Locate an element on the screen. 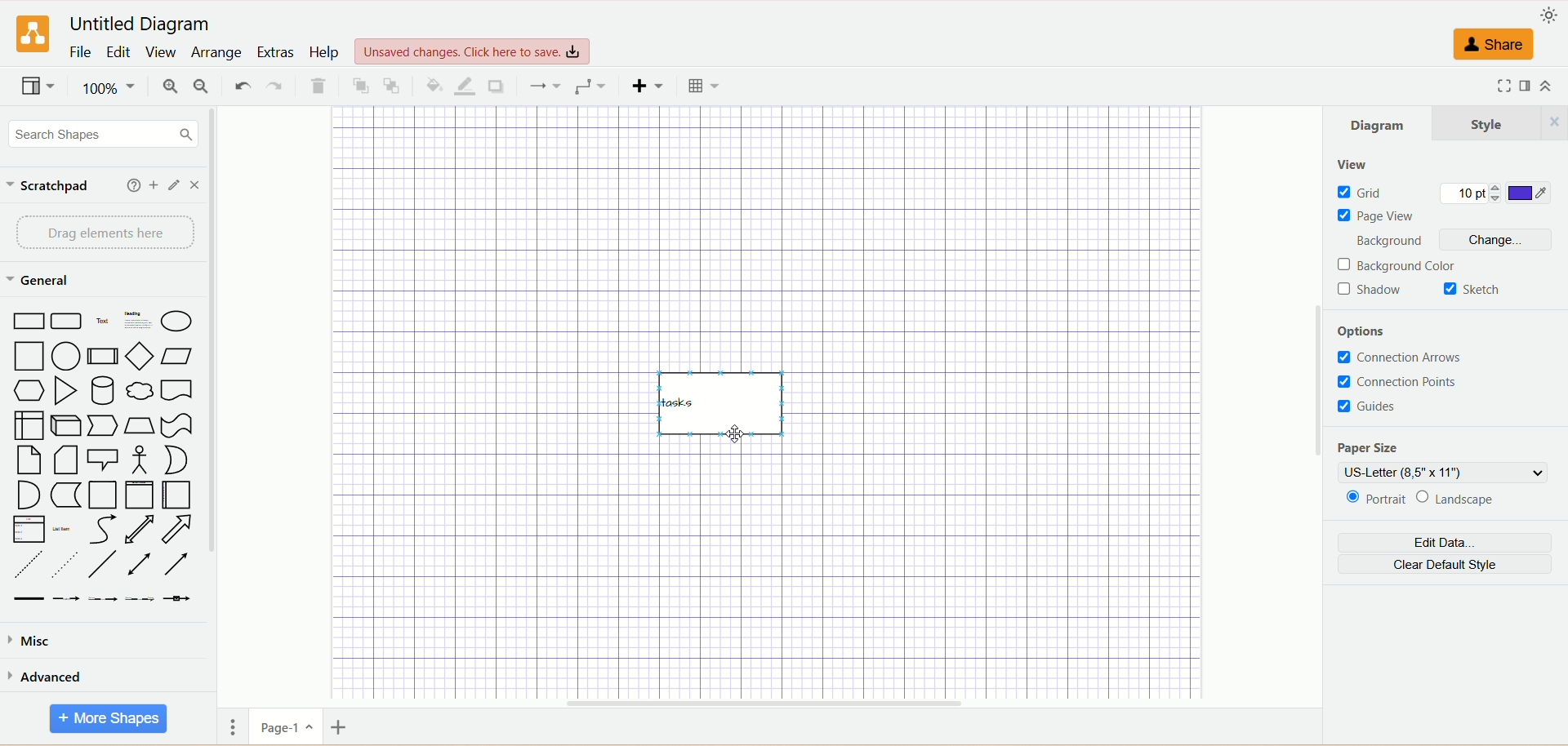 This screenshot has width=1568, height=746. pages is located at coordinates (232, 729).